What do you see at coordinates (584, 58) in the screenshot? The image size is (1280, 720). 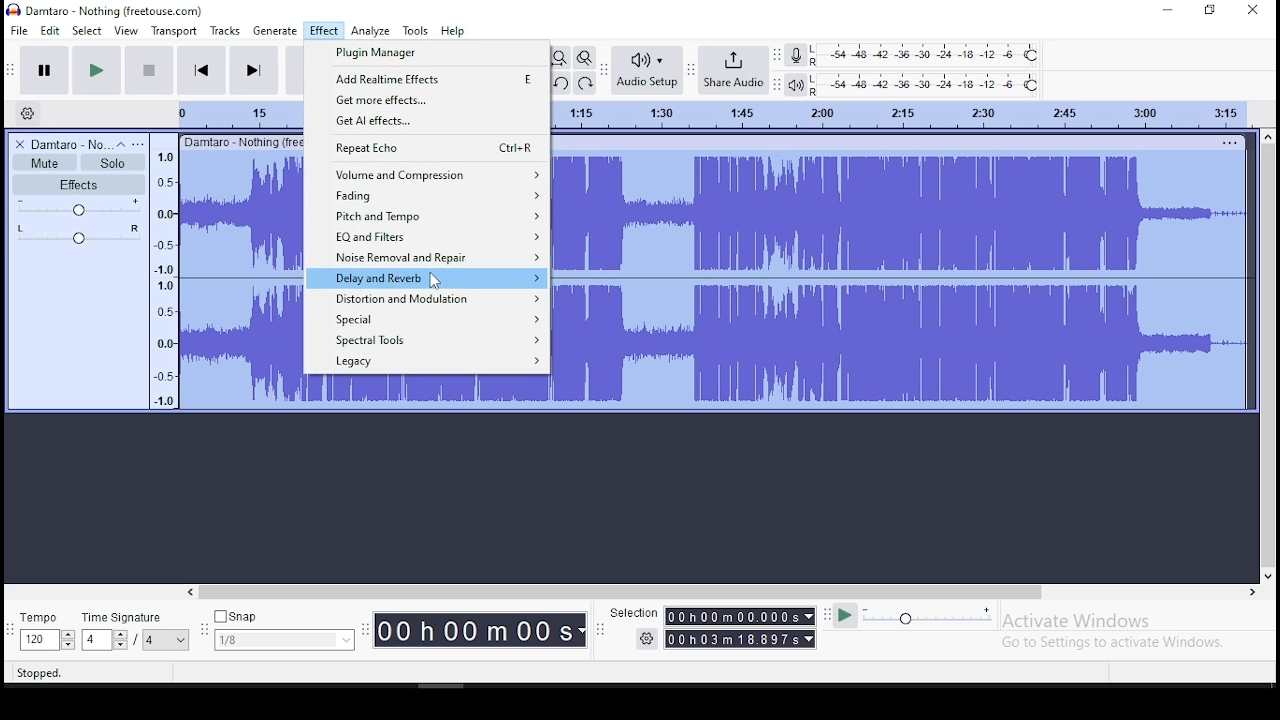 I see `zoom toggle` at bounding box center [584, 58].